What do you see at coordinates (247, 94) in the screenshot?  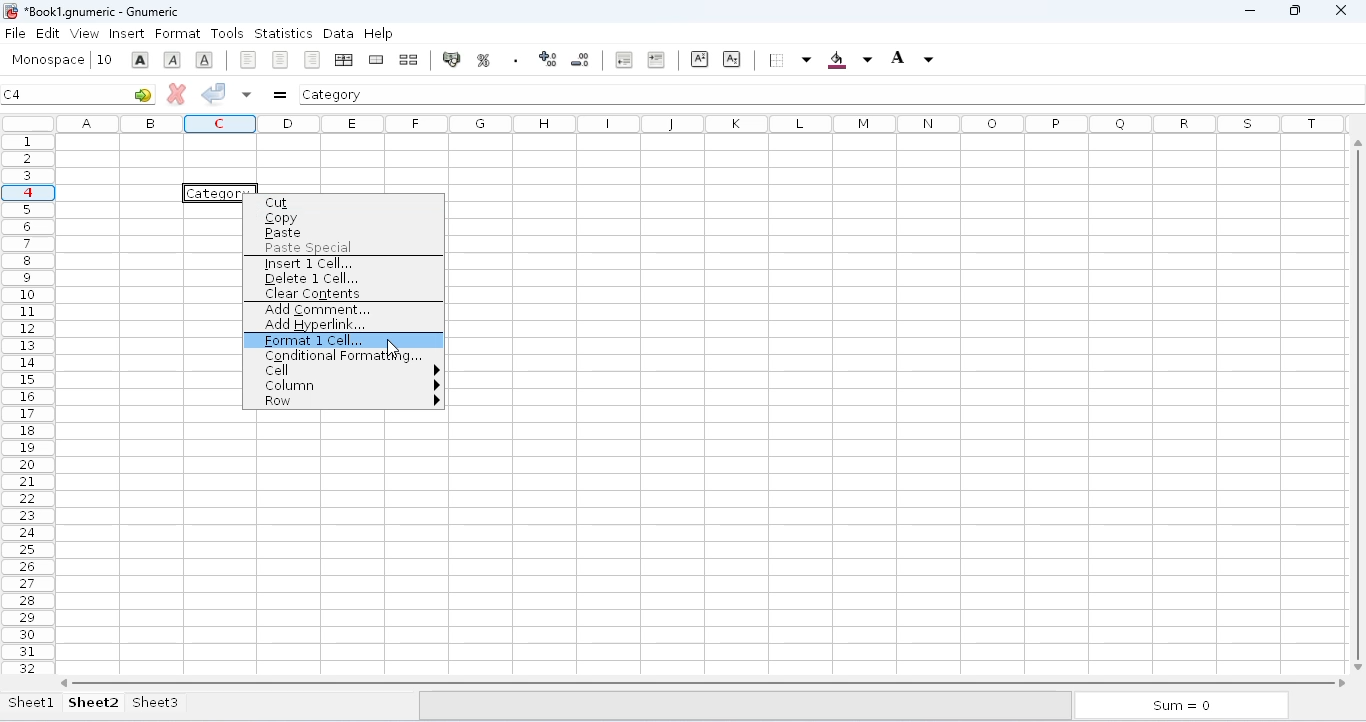 I see `accept changes to multiple cells` at bounding box center [247, 94].